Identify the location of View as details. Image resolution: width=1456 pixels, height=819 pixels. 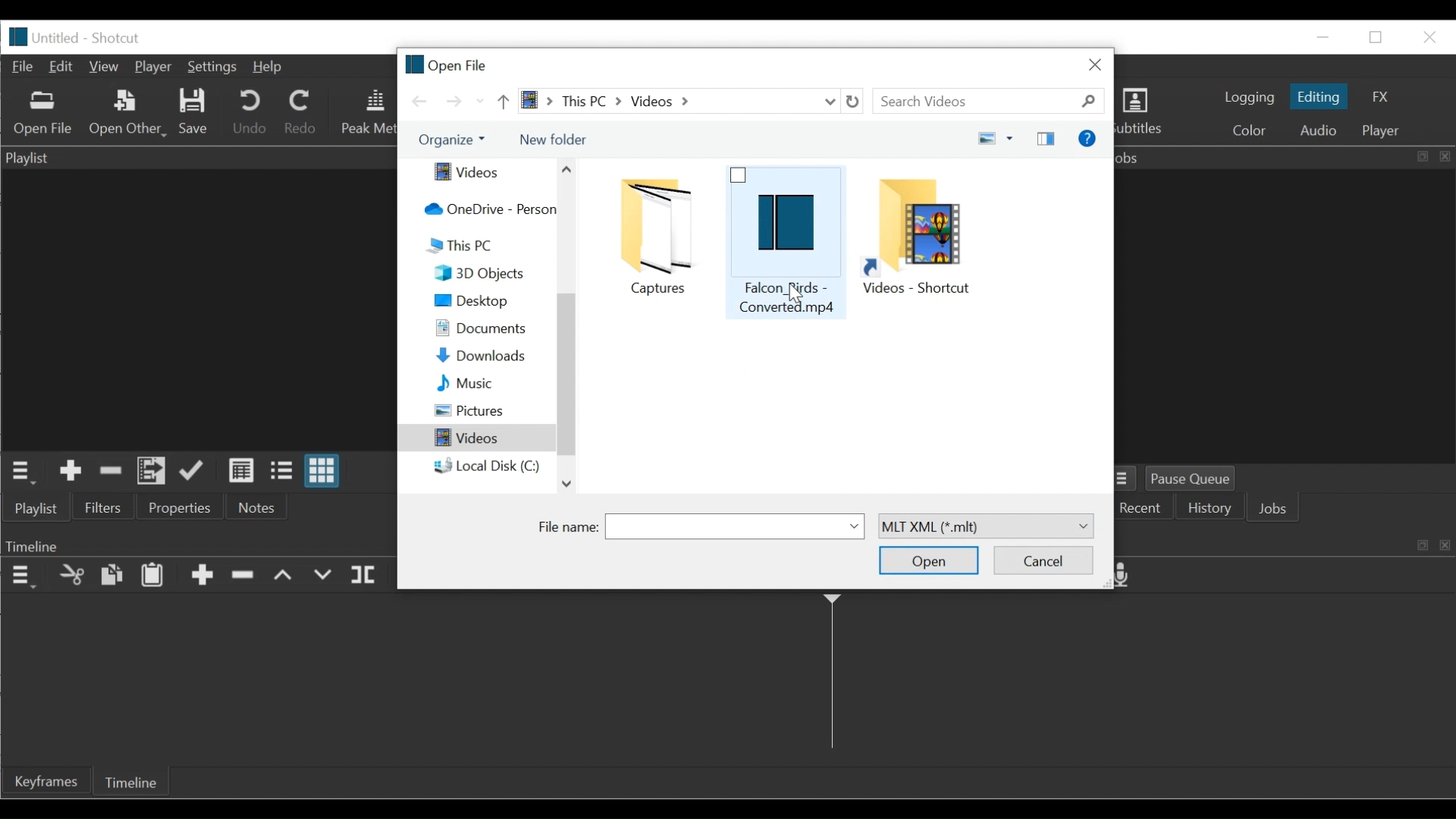
(243, 472).